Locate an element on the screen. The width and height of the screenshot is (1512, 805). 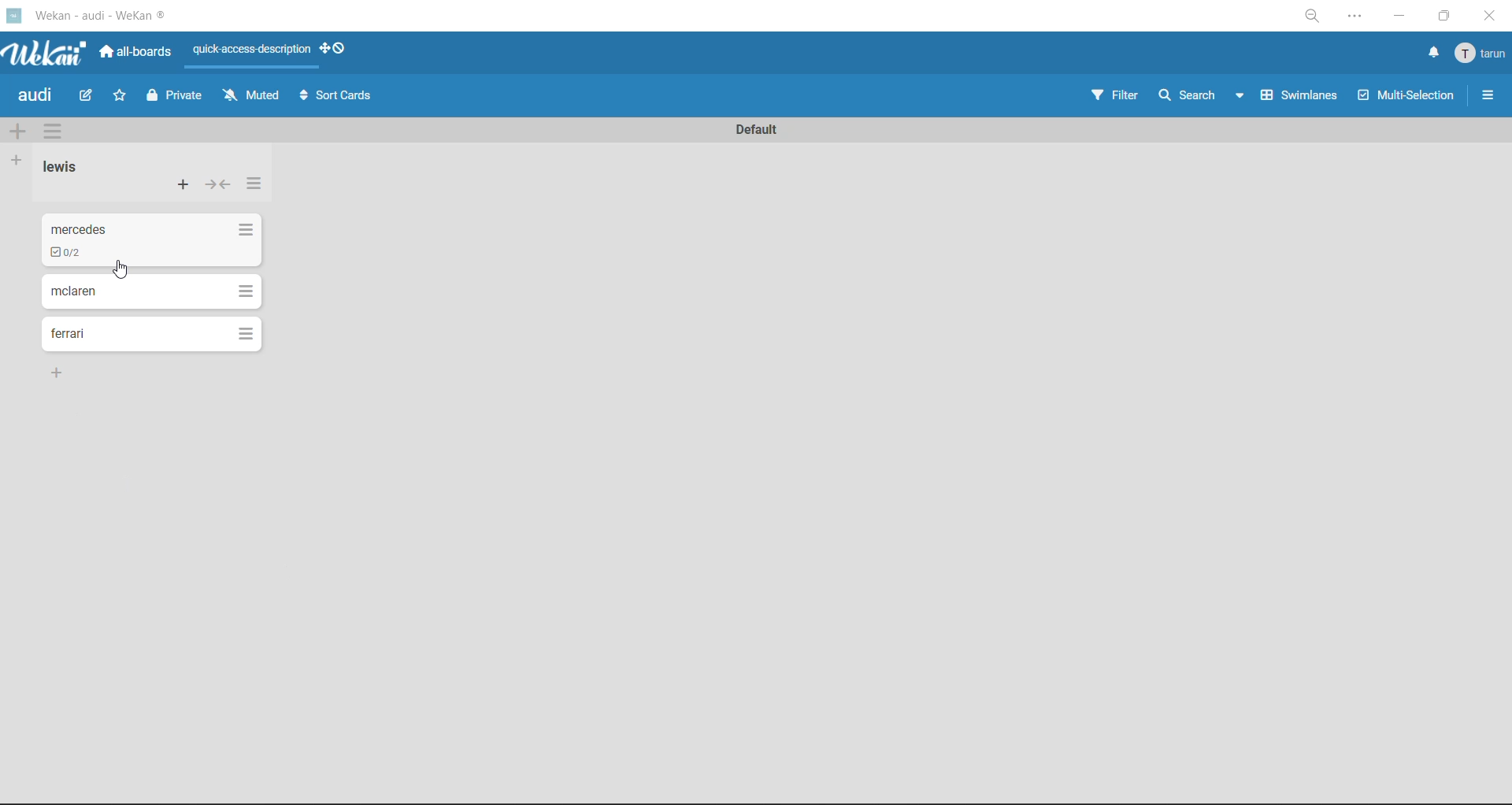
mclaren is located at coordinates (76, 293).